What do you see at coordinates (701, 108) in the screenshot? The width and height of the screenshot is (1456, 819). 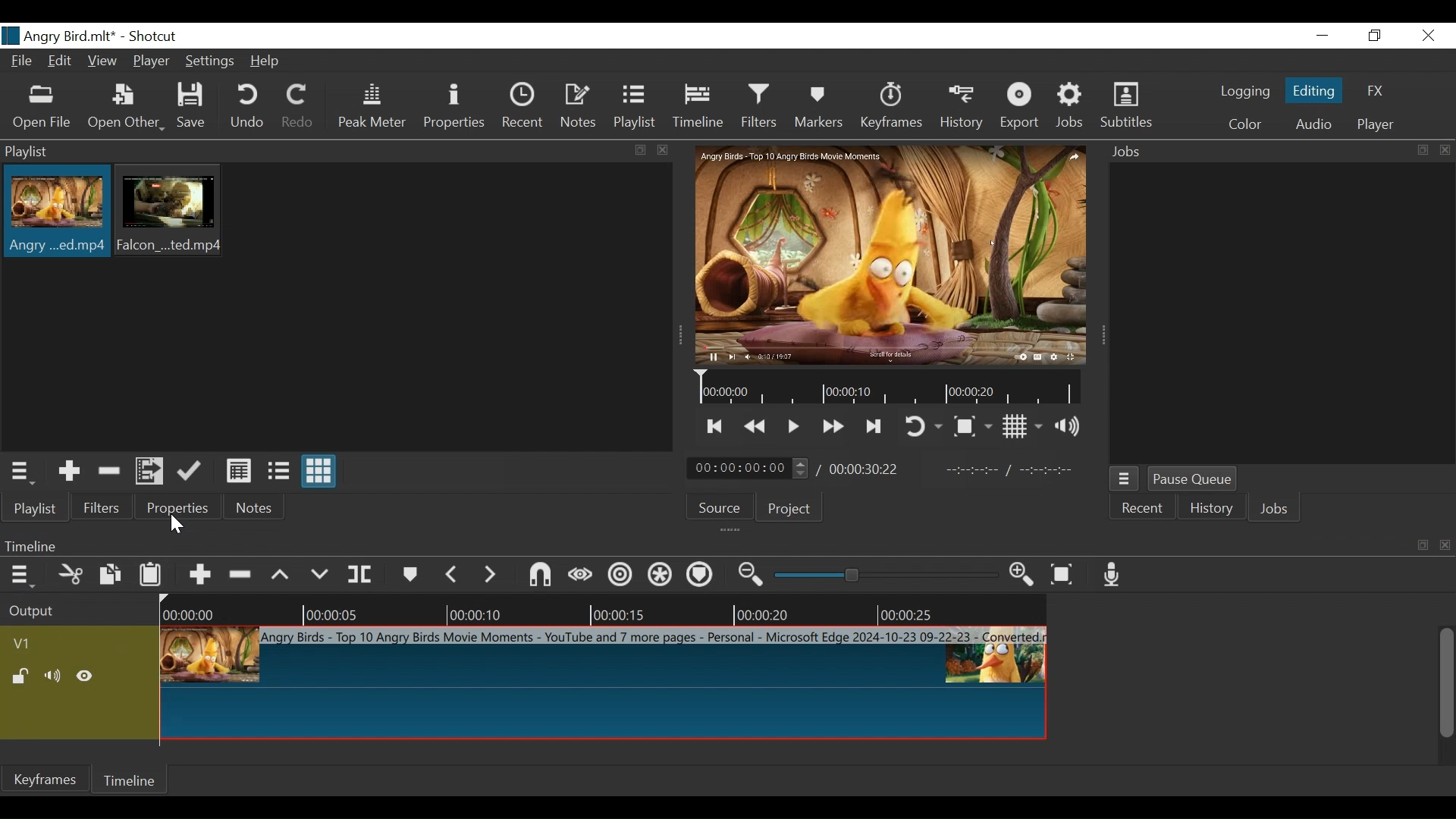 I see `Tiemeline` at bounding box center [701, 108].